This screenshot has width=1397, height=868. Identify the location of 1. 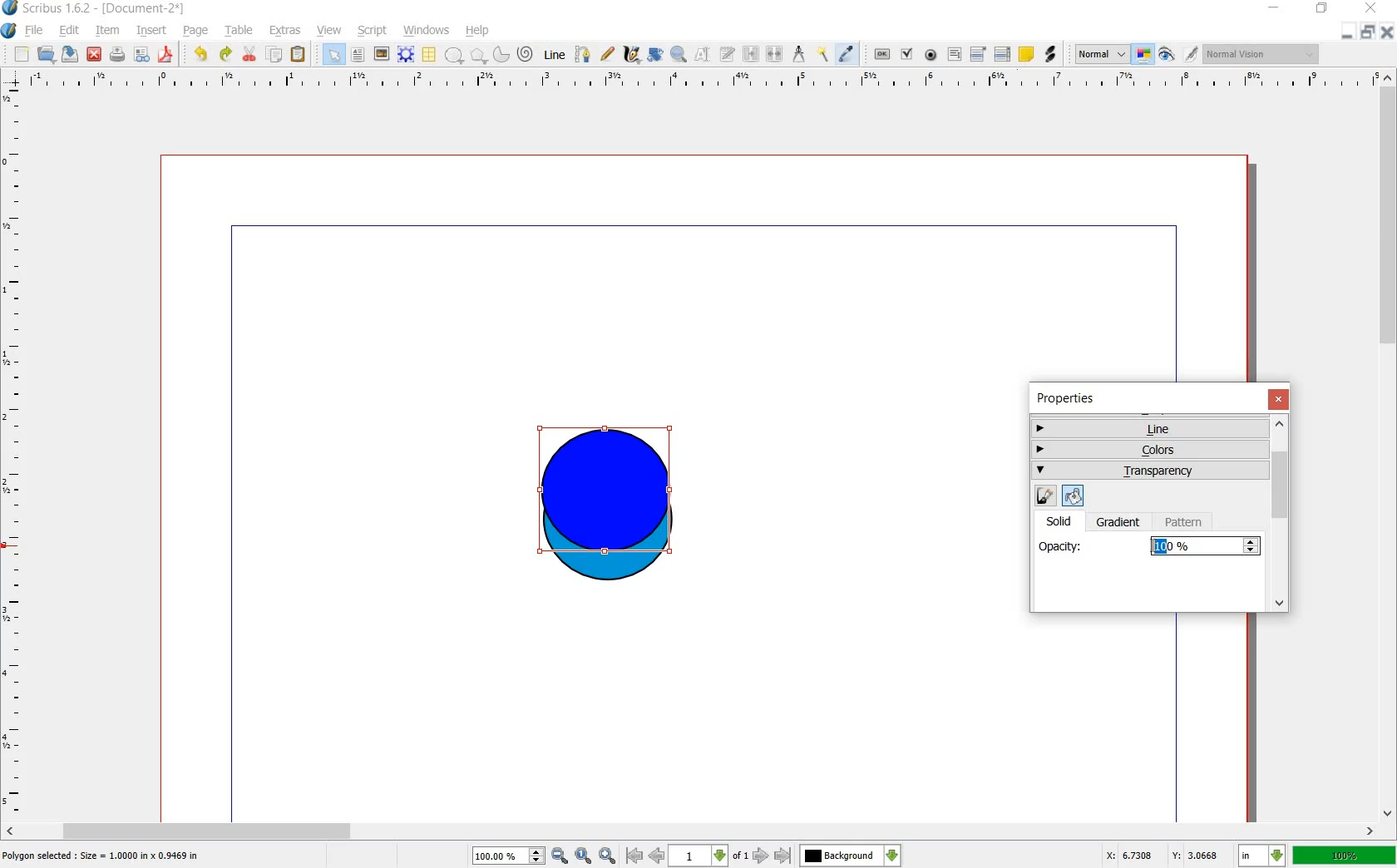
(698, 856).